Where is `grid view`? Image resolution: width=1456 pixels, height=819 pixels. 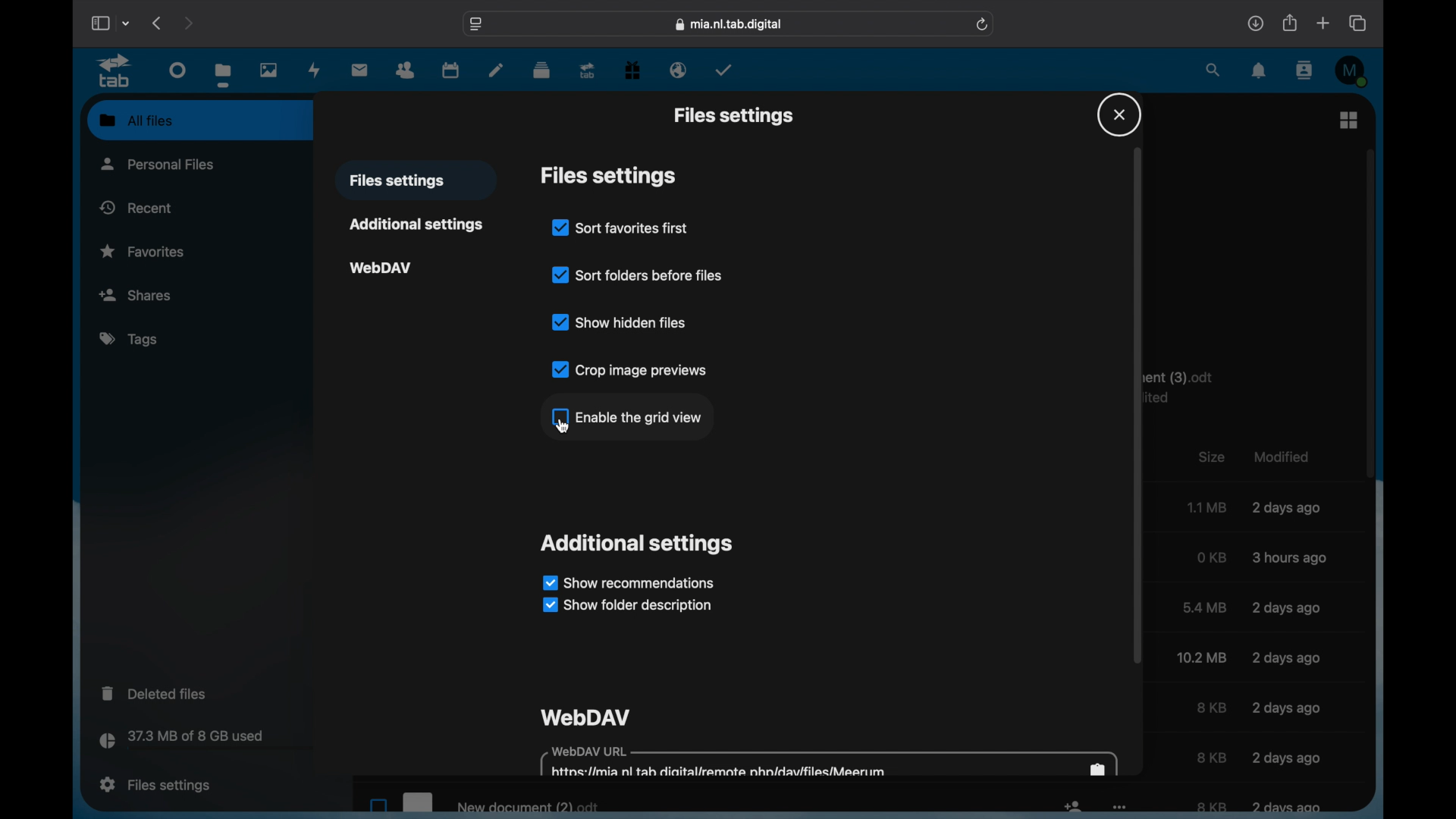
grid view is located at coordinates (1348, 119).